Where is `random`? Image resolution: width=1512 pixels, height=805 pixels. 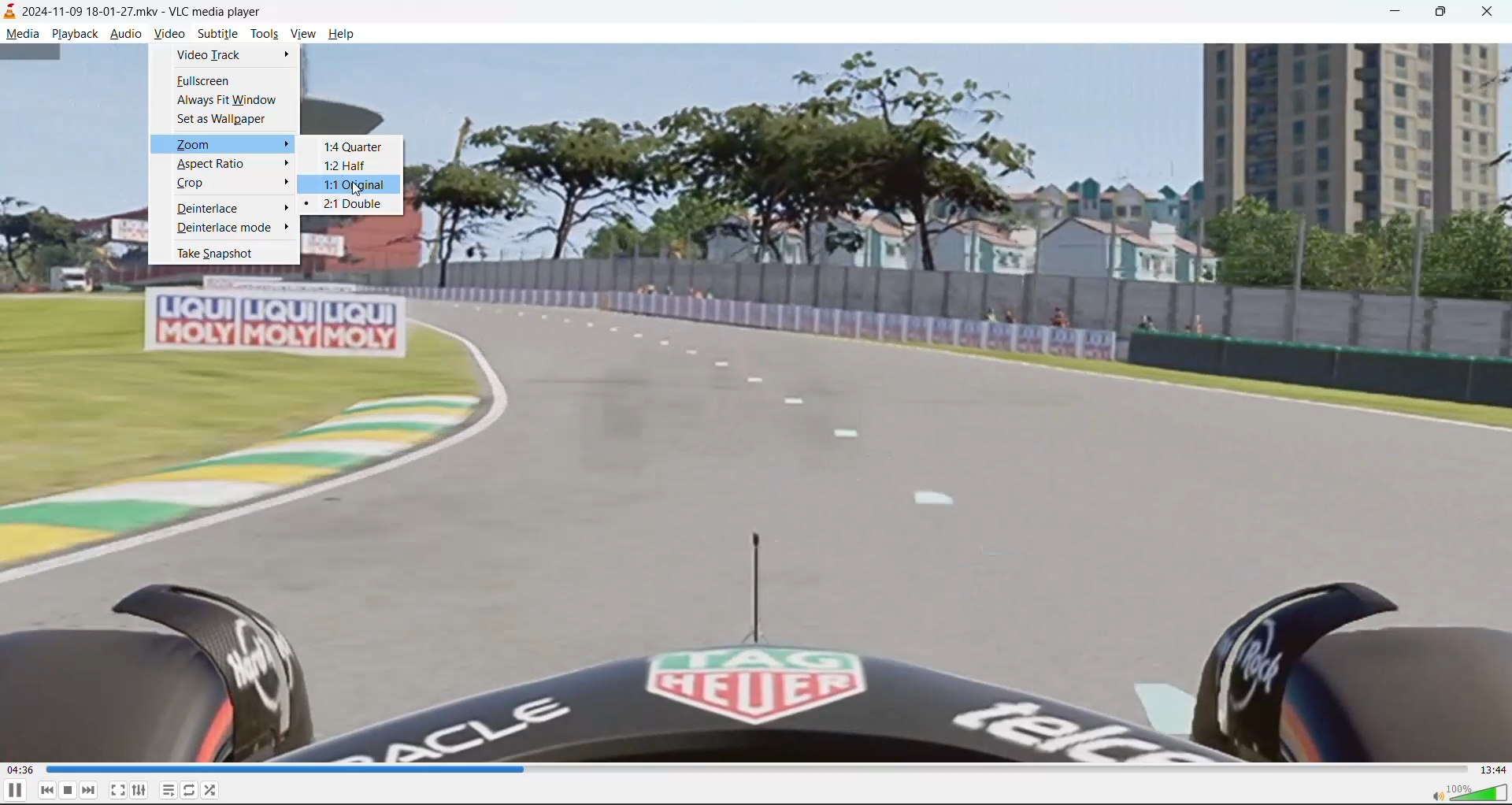 random is located at coordinates (215, 789).